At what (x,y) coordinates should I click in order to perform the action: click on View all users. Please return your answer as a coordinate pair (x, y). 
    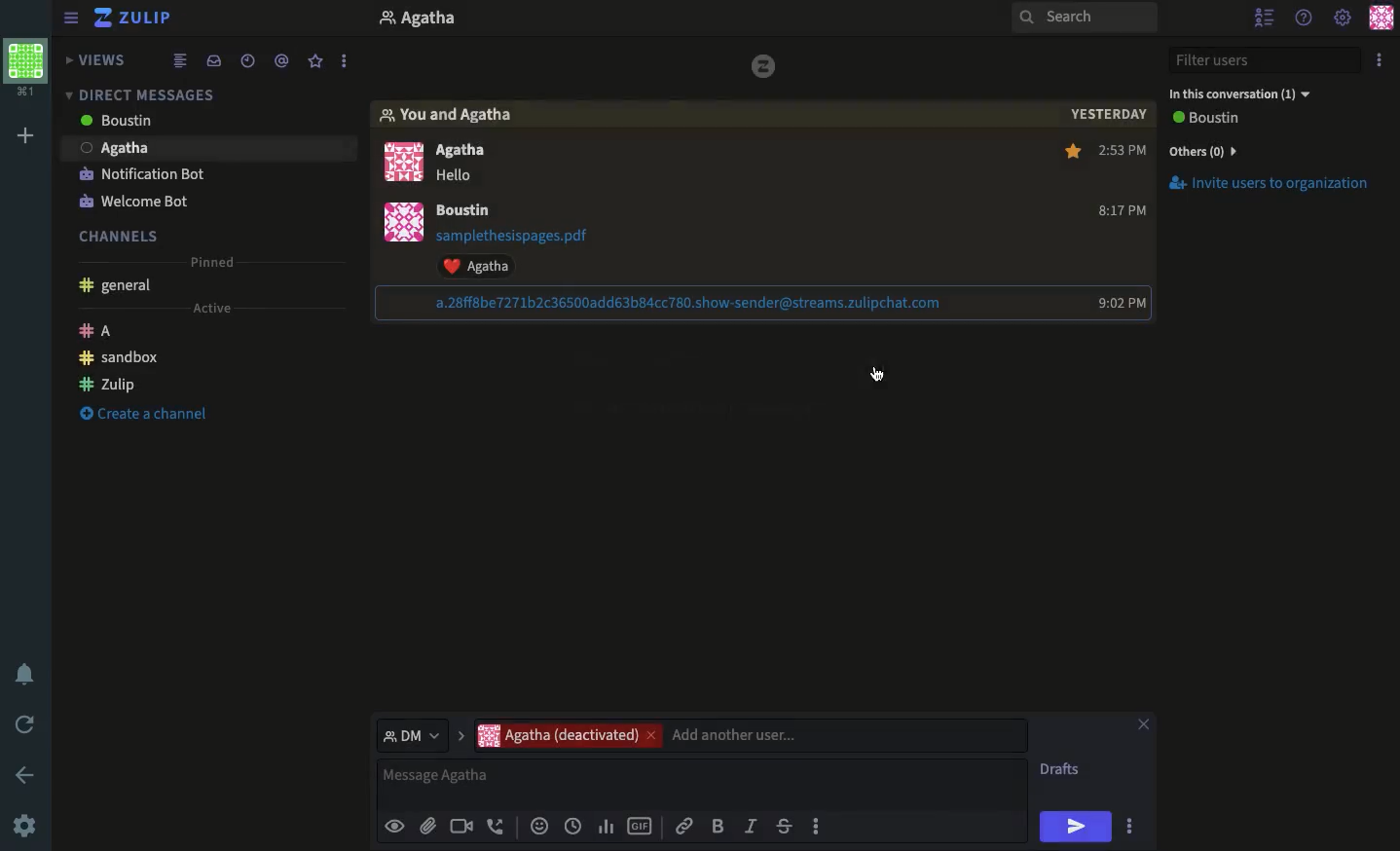
    Looking at the image, I should click on (1223, 120).